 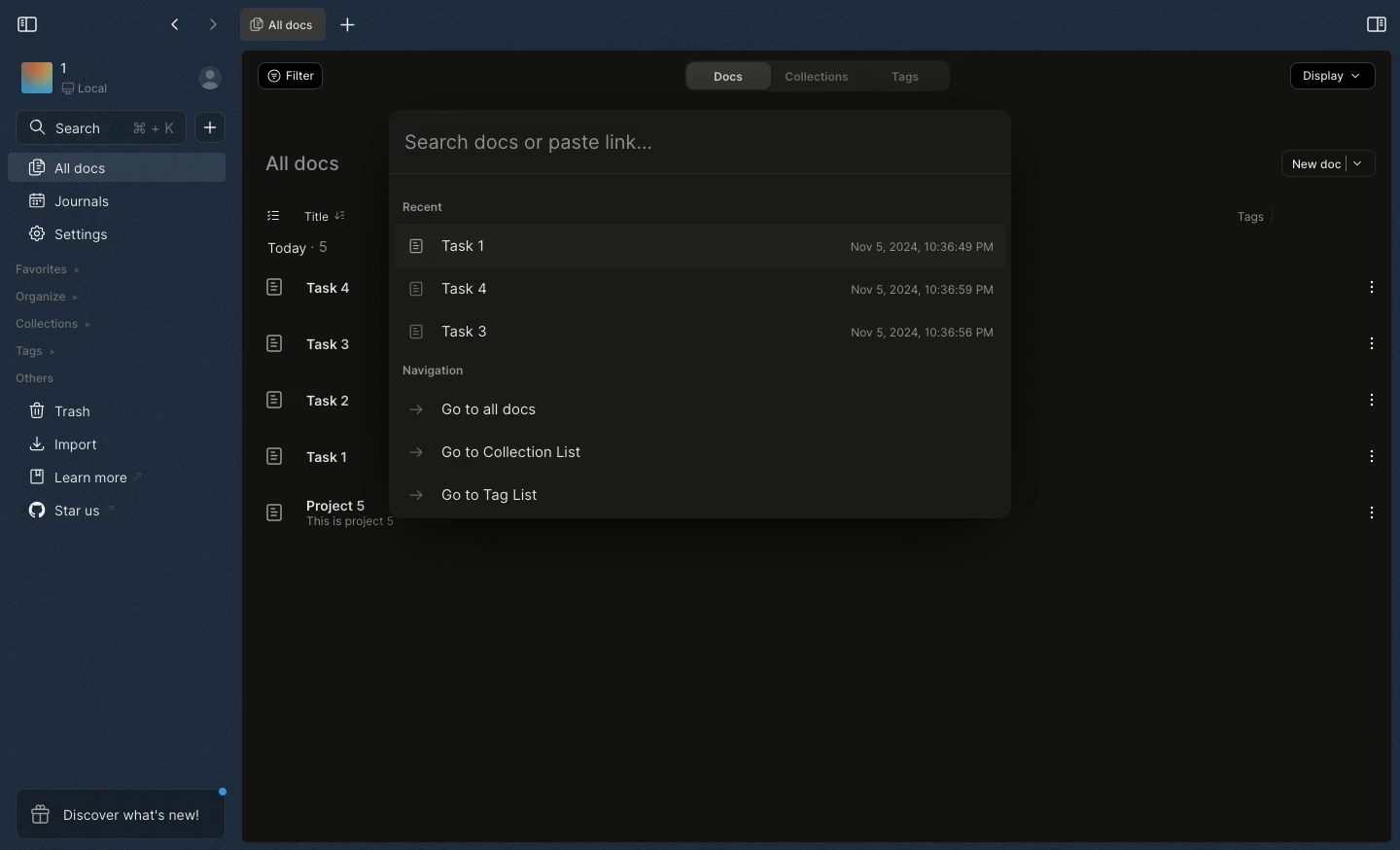 I want to click on All docs, so click(x=311, y=166).